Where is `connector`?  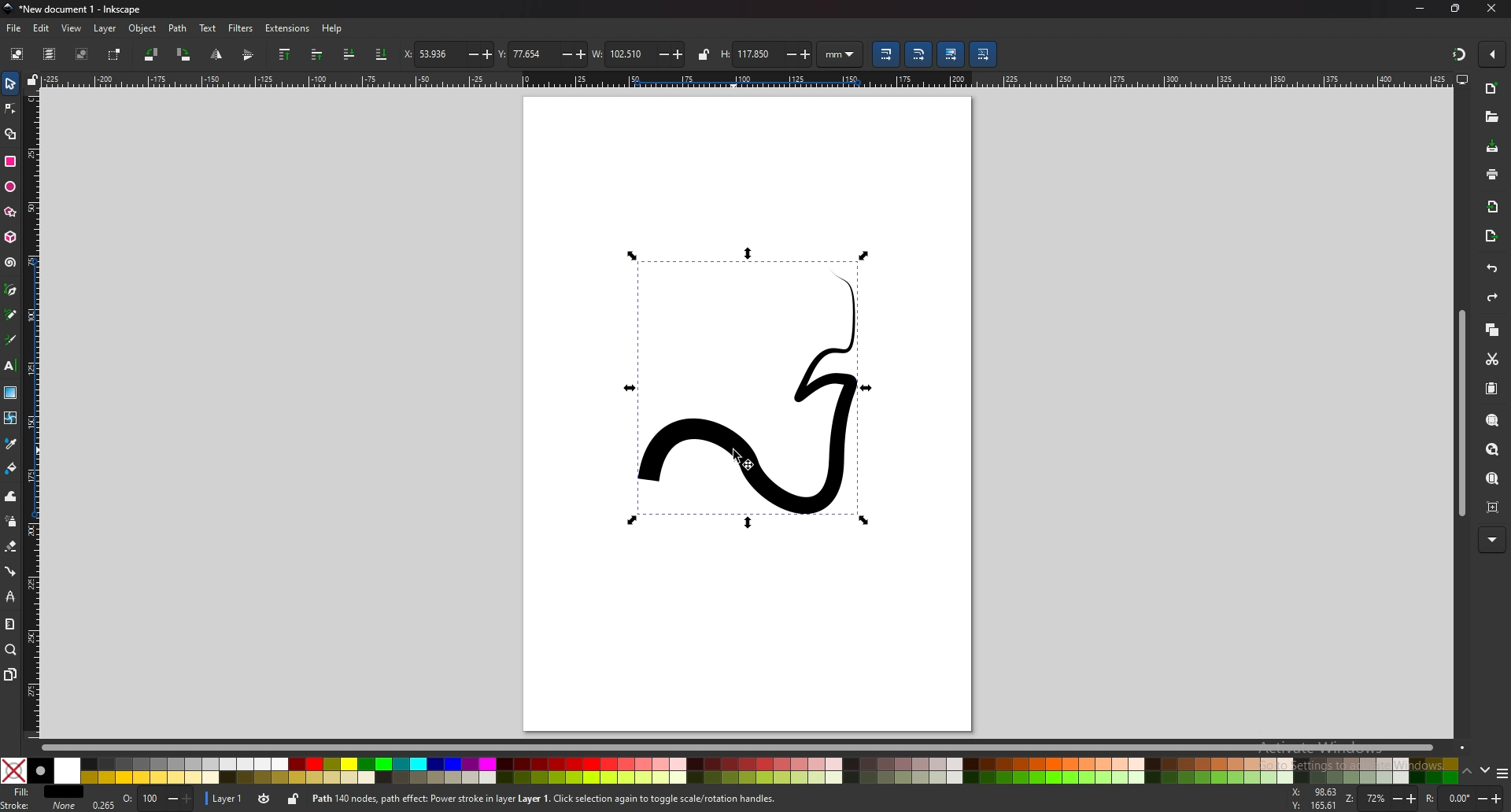
connector is located at coordinates (11, 571).